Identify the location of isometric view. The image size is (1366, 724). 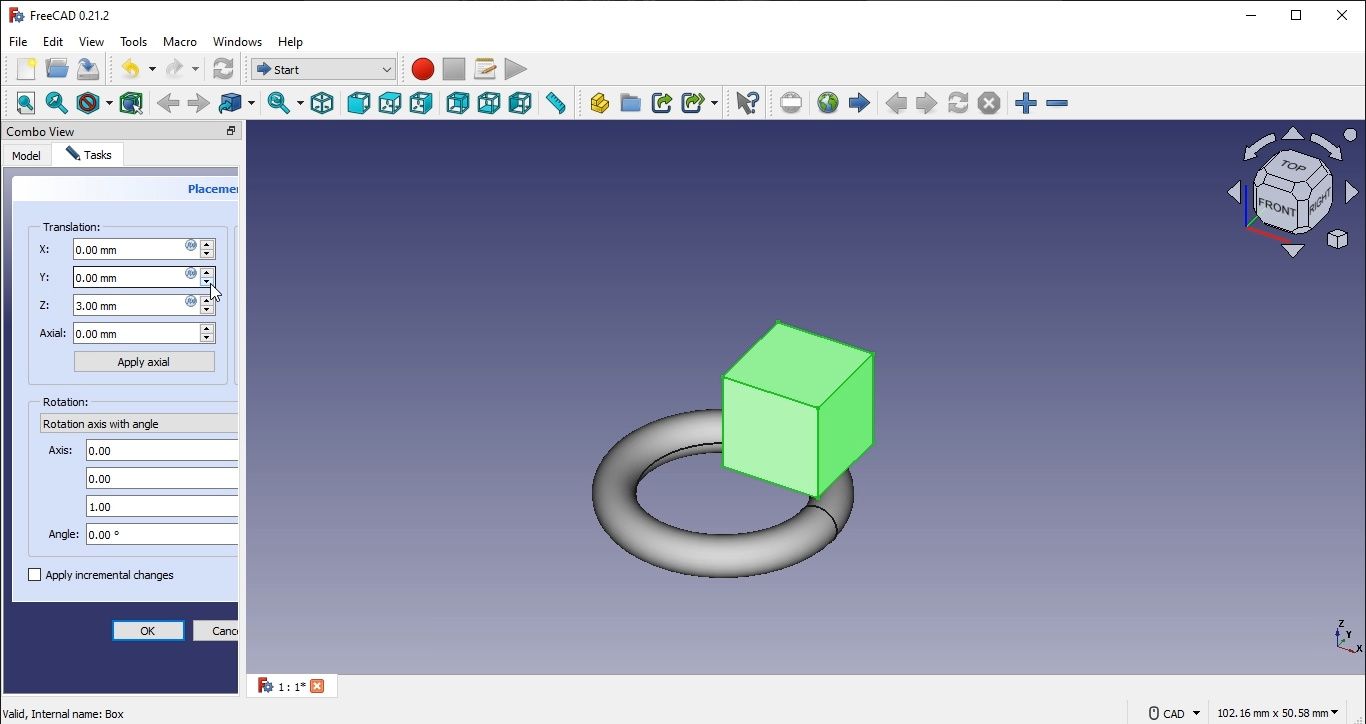
(321, 104).